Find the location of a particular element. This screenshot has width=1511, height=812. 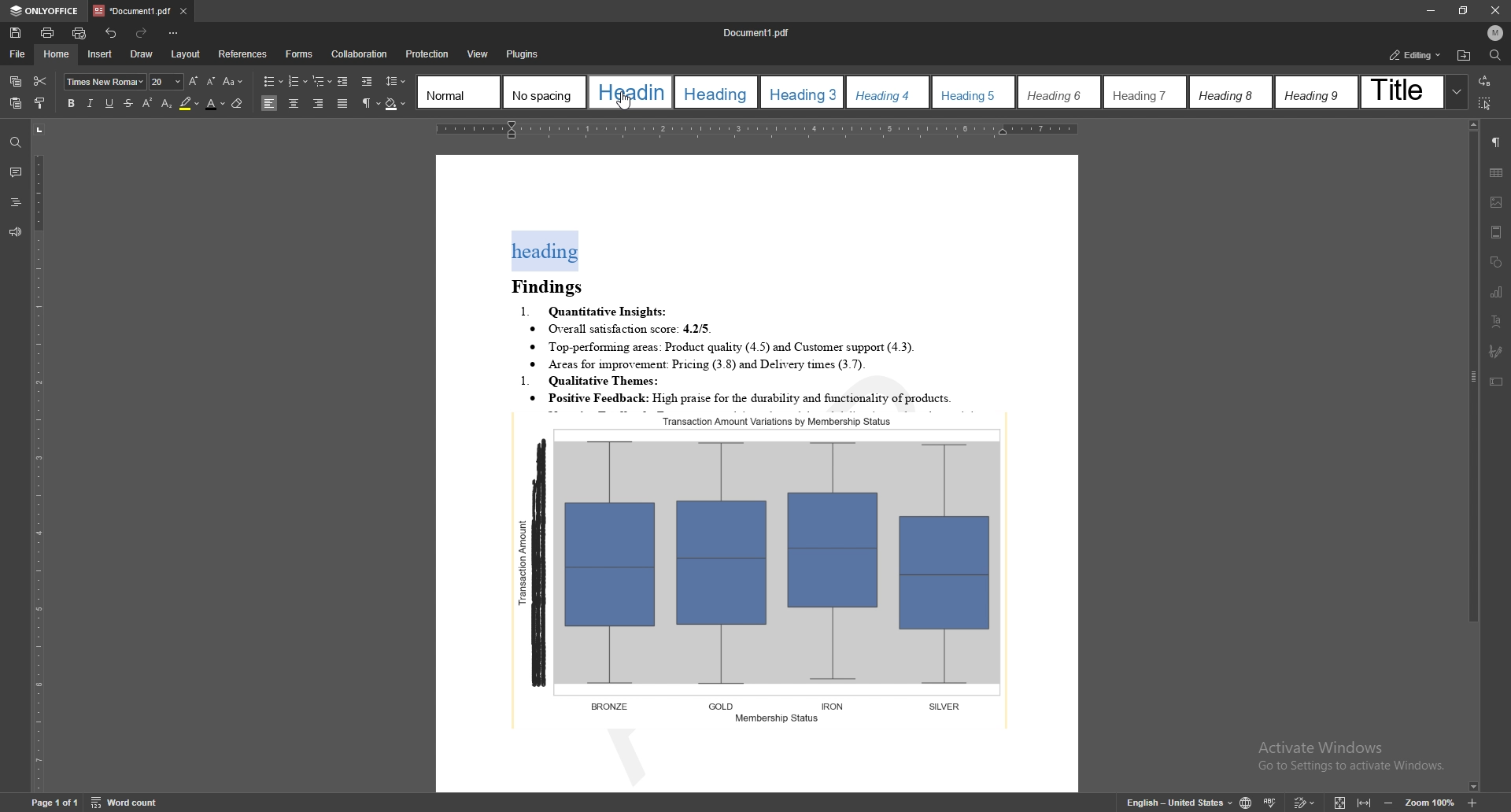

onlyoffice is located at coordinates (45, 12).